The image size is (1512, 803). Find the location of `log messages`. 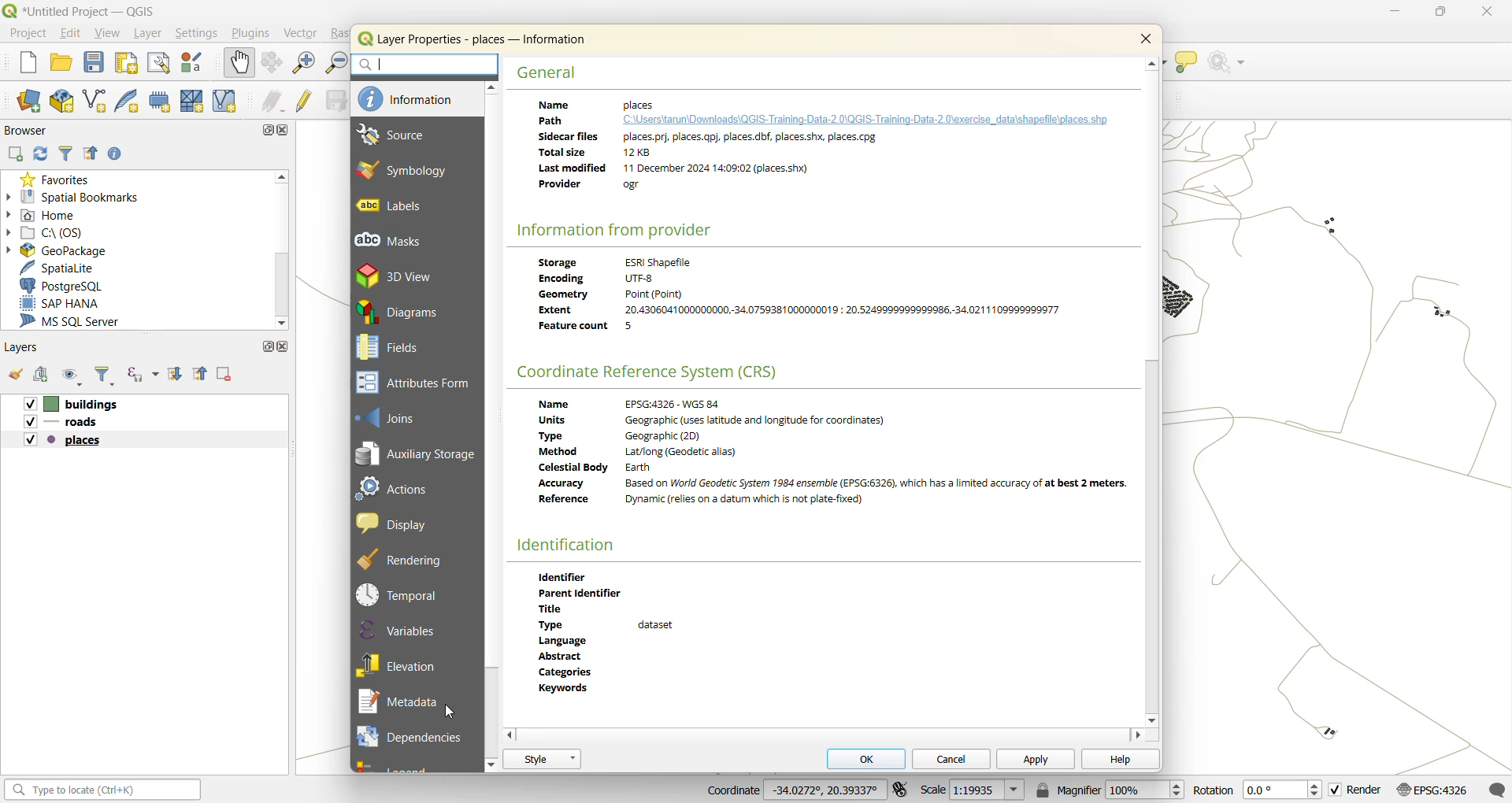

log messages is located at coordinates (1496, 787).